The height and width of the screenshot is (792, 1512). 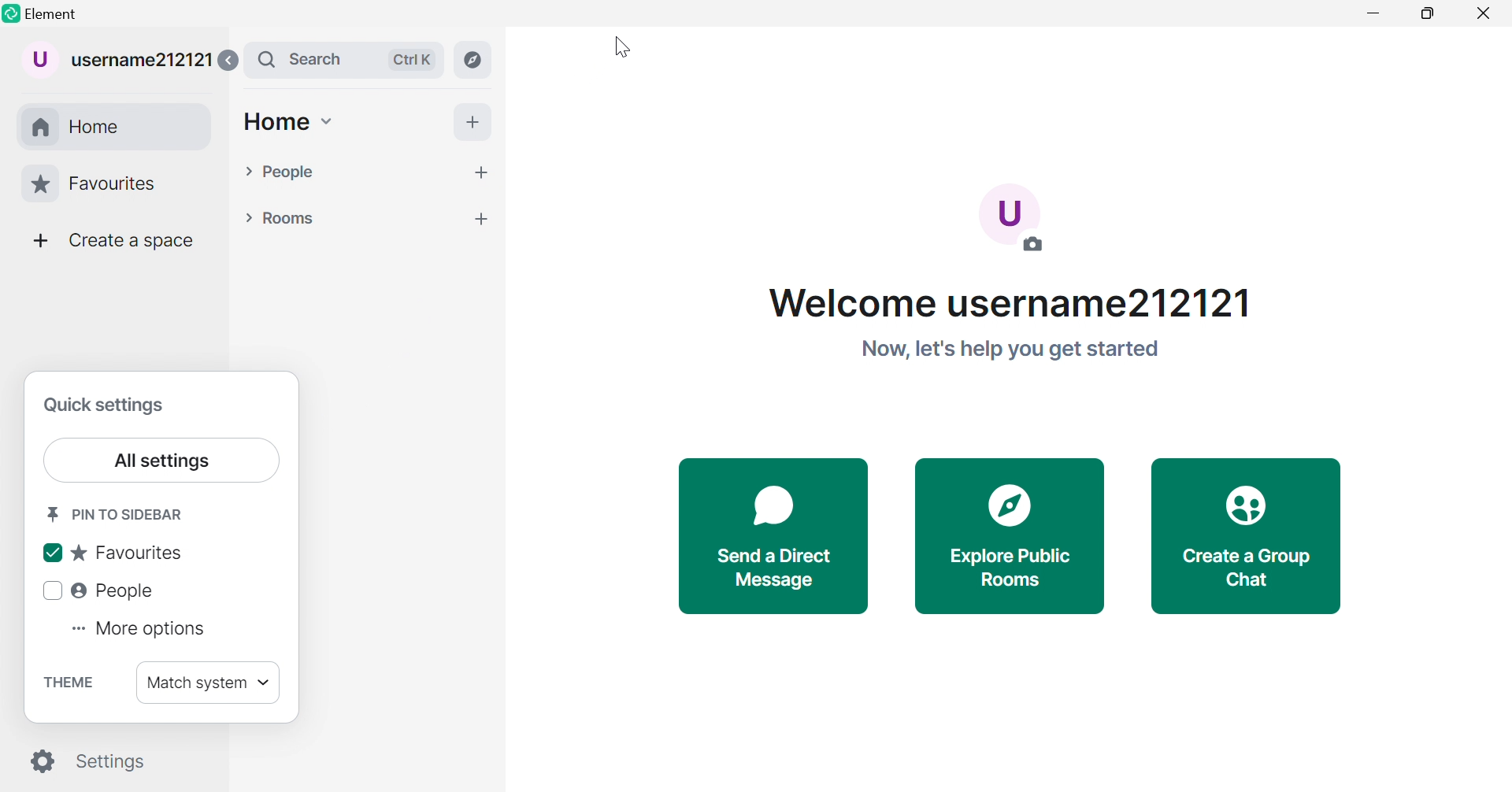 I want to click on Element, so click(x=55, y=13).